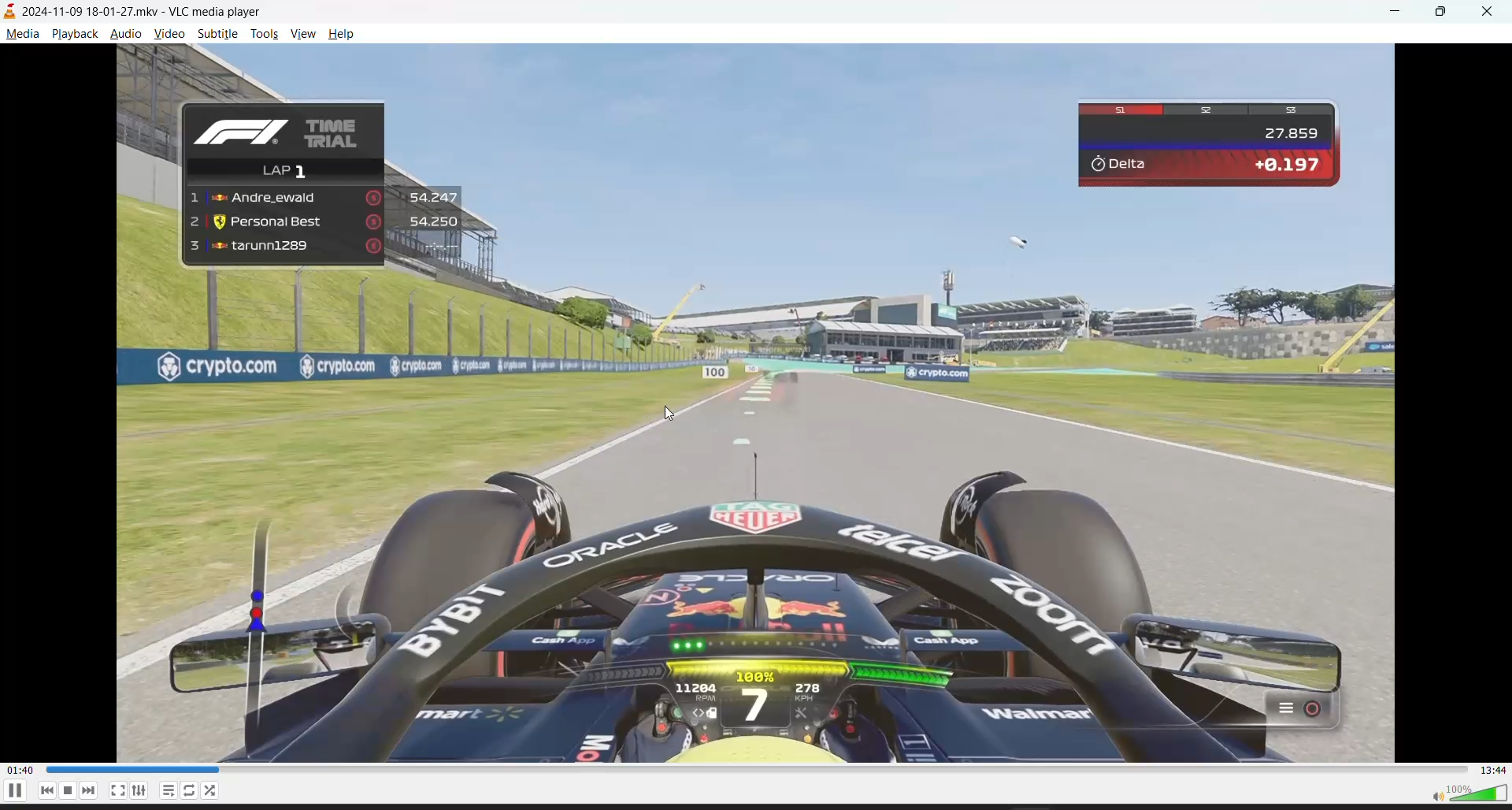  What do you see at coordinates (759, 771) in the screenshot?
I see `track slider` at bounding box center [759, 771].